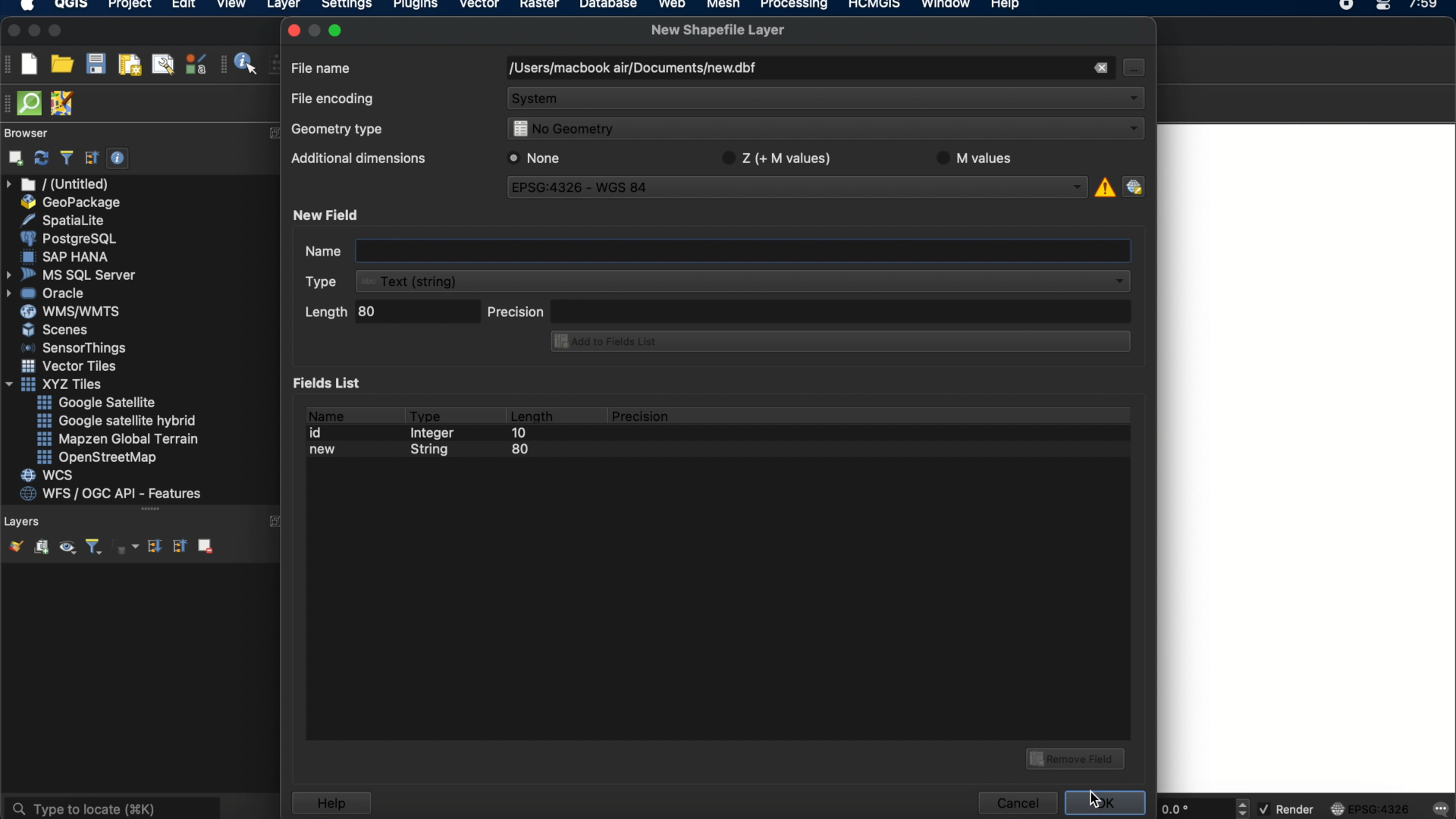  What do you see at coordinates (331, 803) in the screenshot?
I see `help` at bounding box center [331, 803].